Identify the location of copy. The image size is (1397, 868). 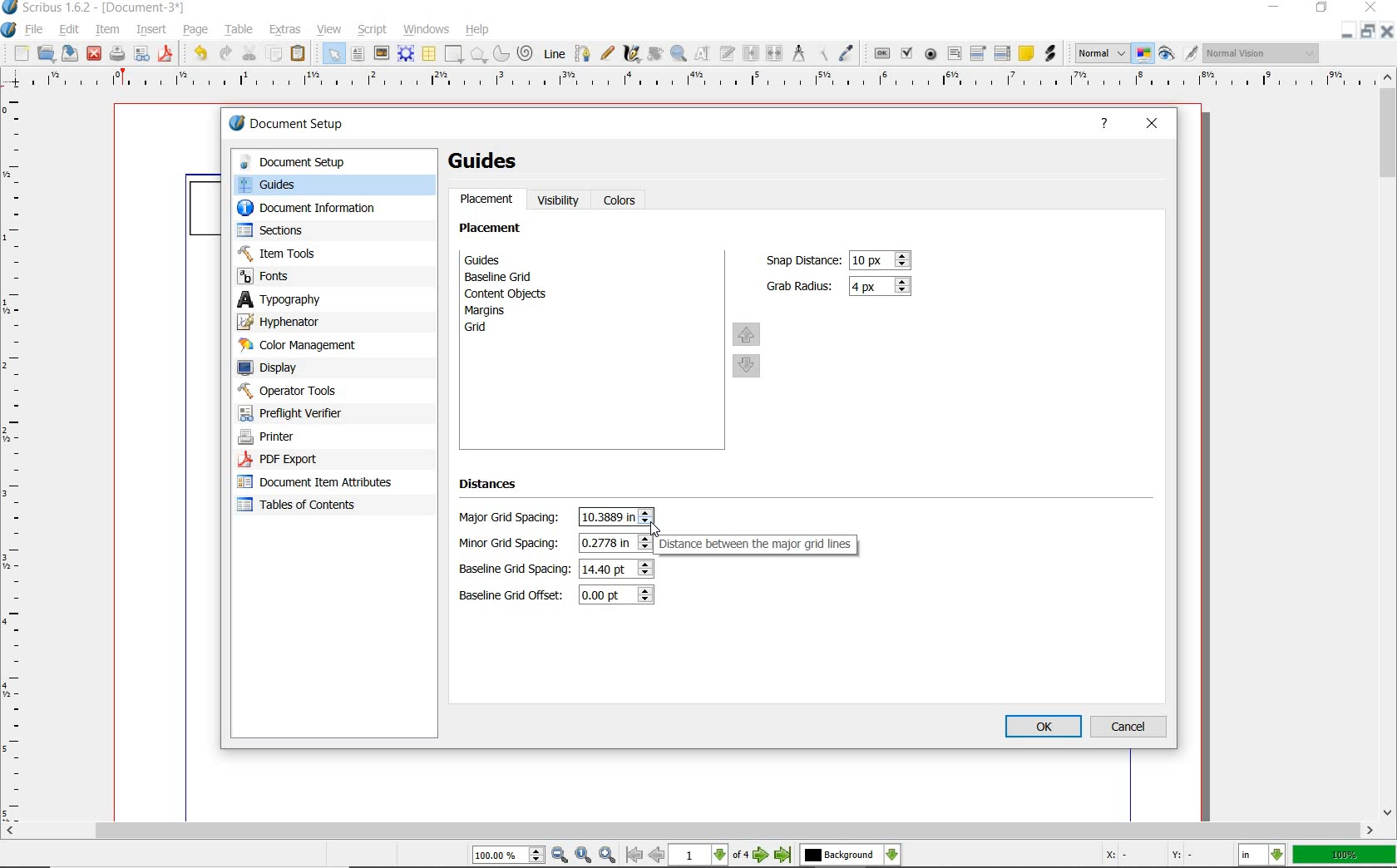
(274, 56).